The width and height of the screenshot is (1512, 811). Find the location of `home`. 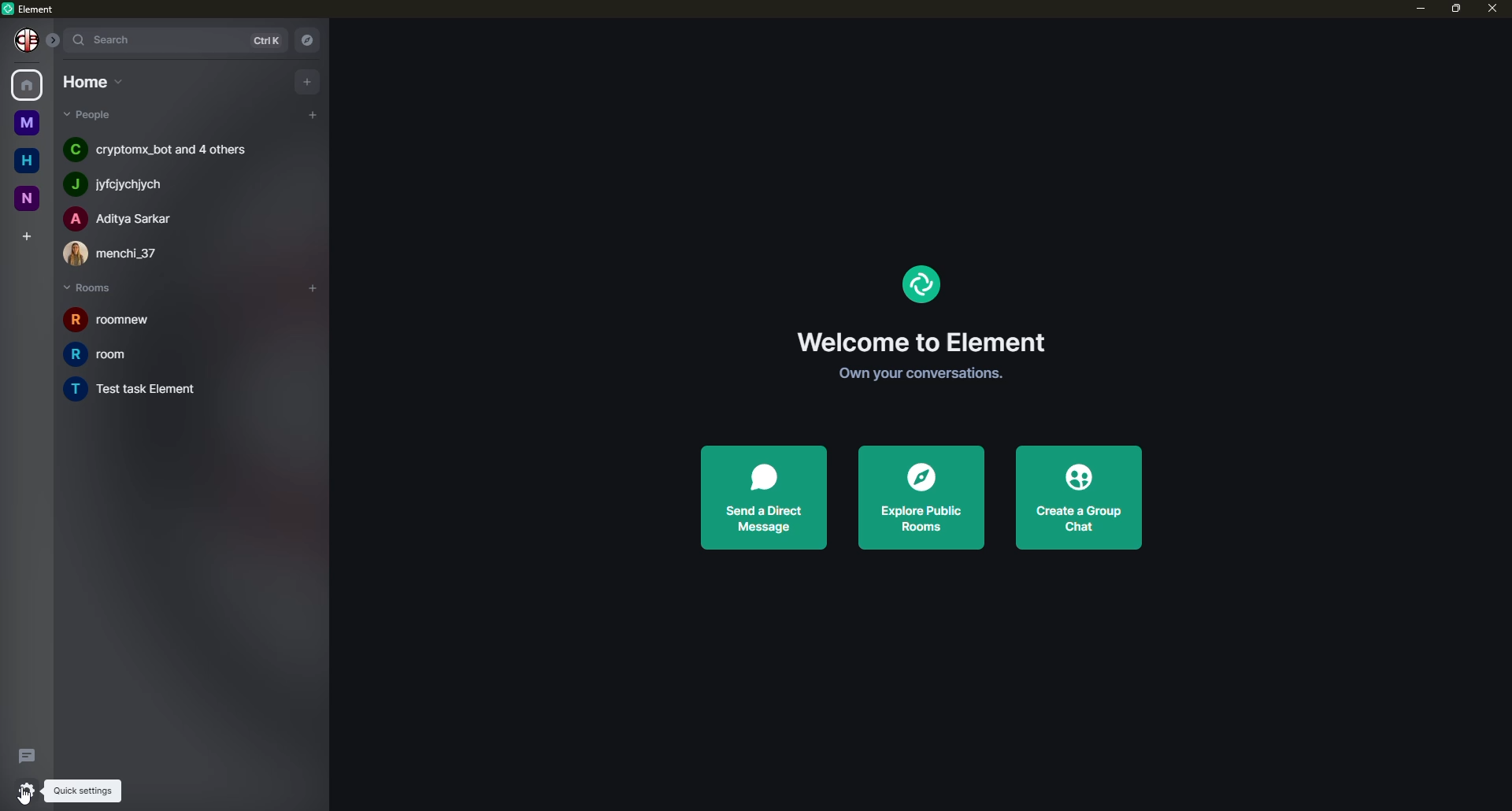

home is located at coordinates (88, 80).